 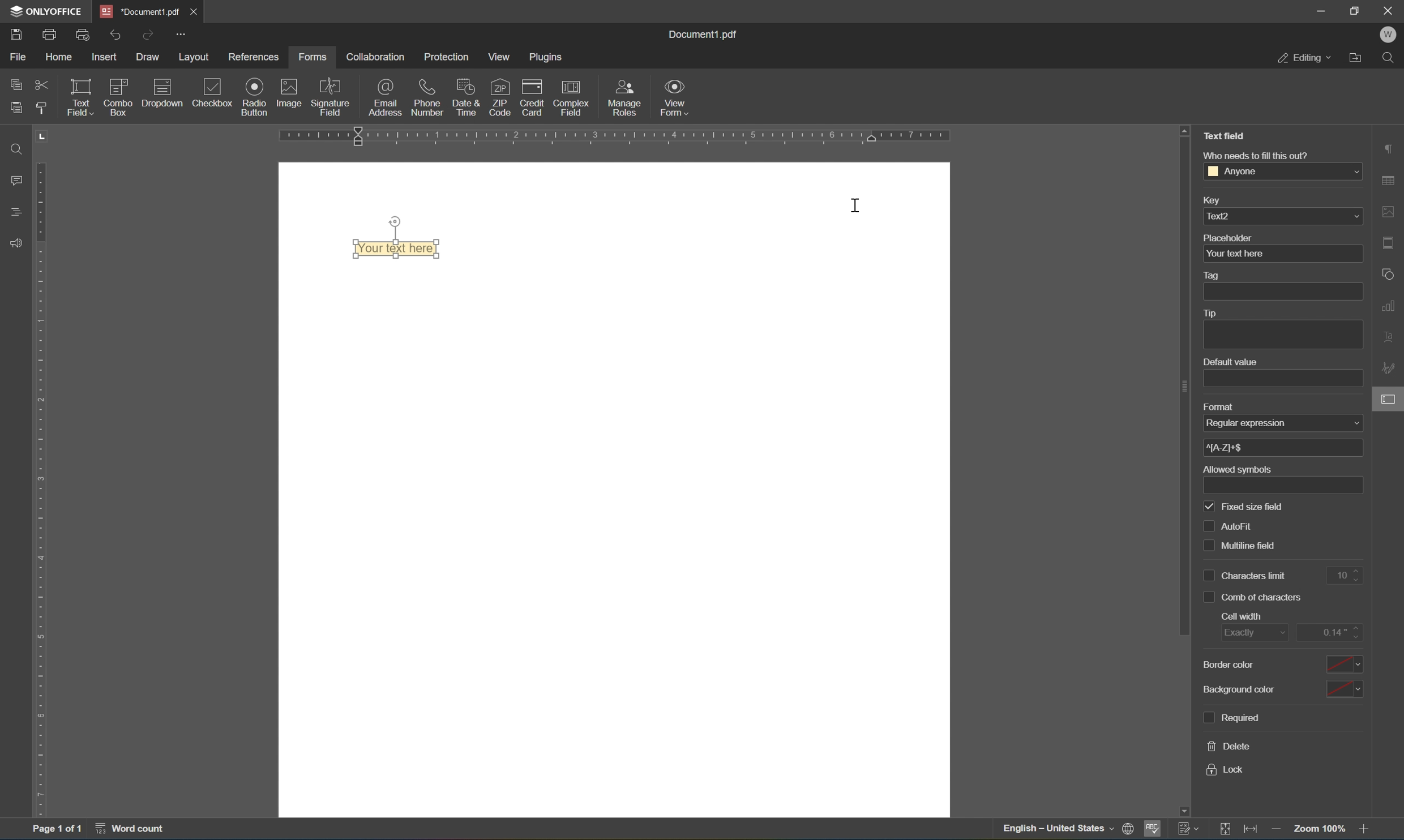 What do you see at coordinates (1225, 447) in the screenshot?
I see `^[A-Z]+$` at bounding box center [1225, 447].